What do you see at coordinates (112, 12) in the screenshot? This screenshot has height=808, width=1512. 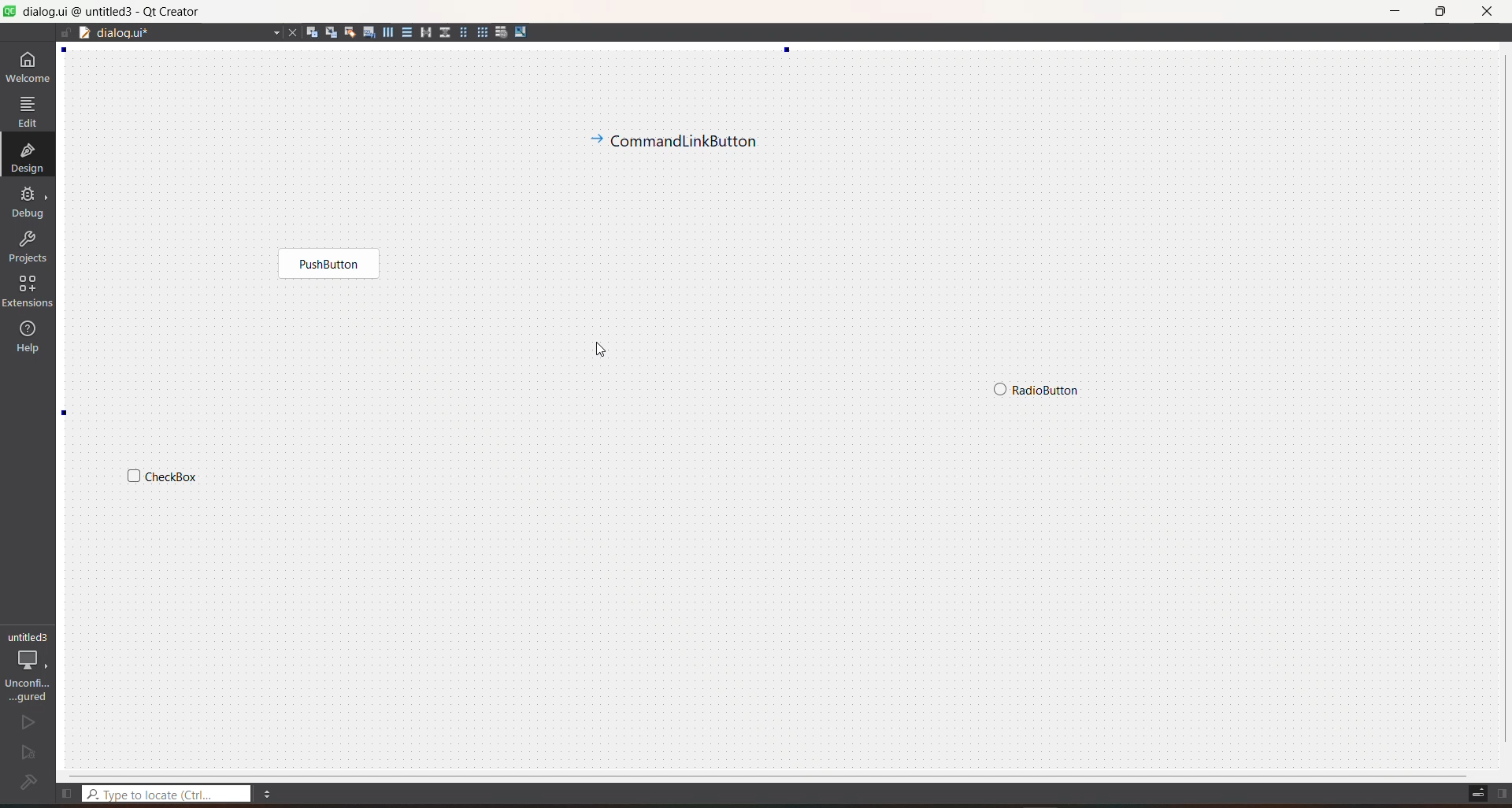 I see `title` at bounding box center [112, 12].